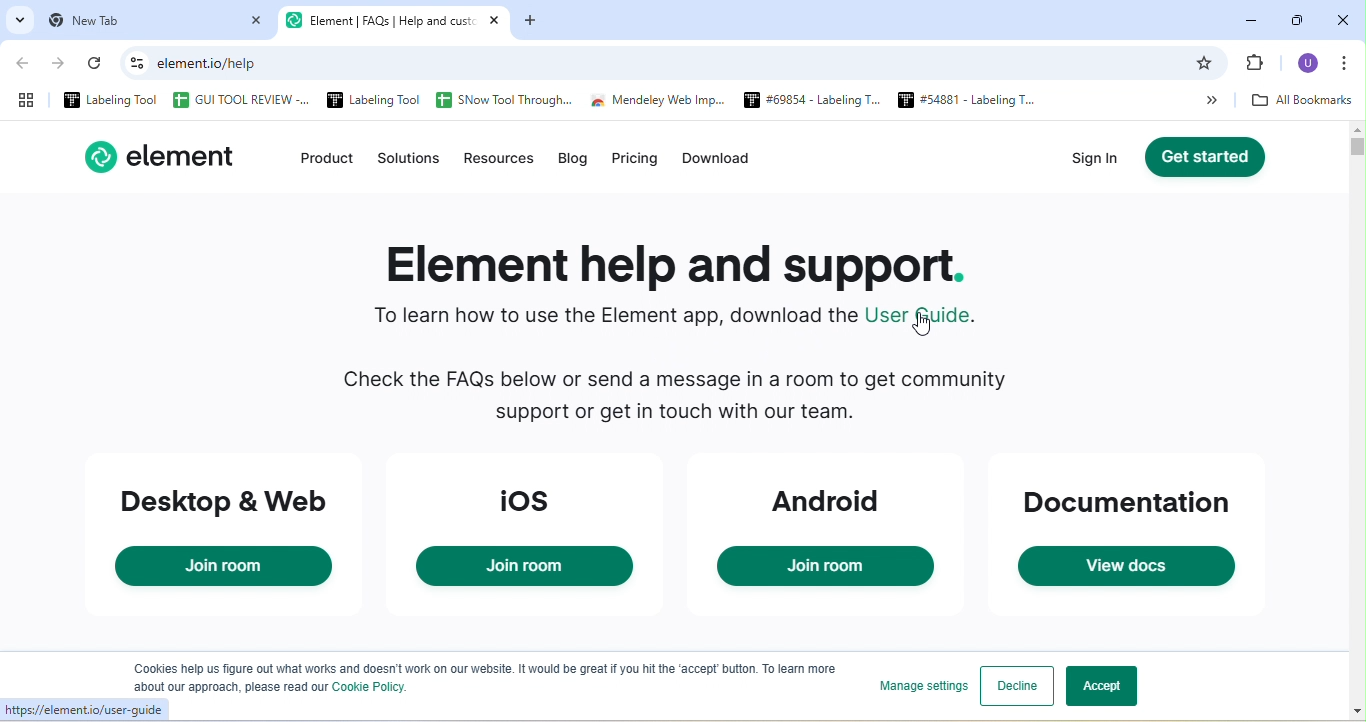 The width and height of the screenshot is (1366, 722). Describe the element at coordinates (1356, 369) in the screenshot. I see `vertical scroll bar` at that location.